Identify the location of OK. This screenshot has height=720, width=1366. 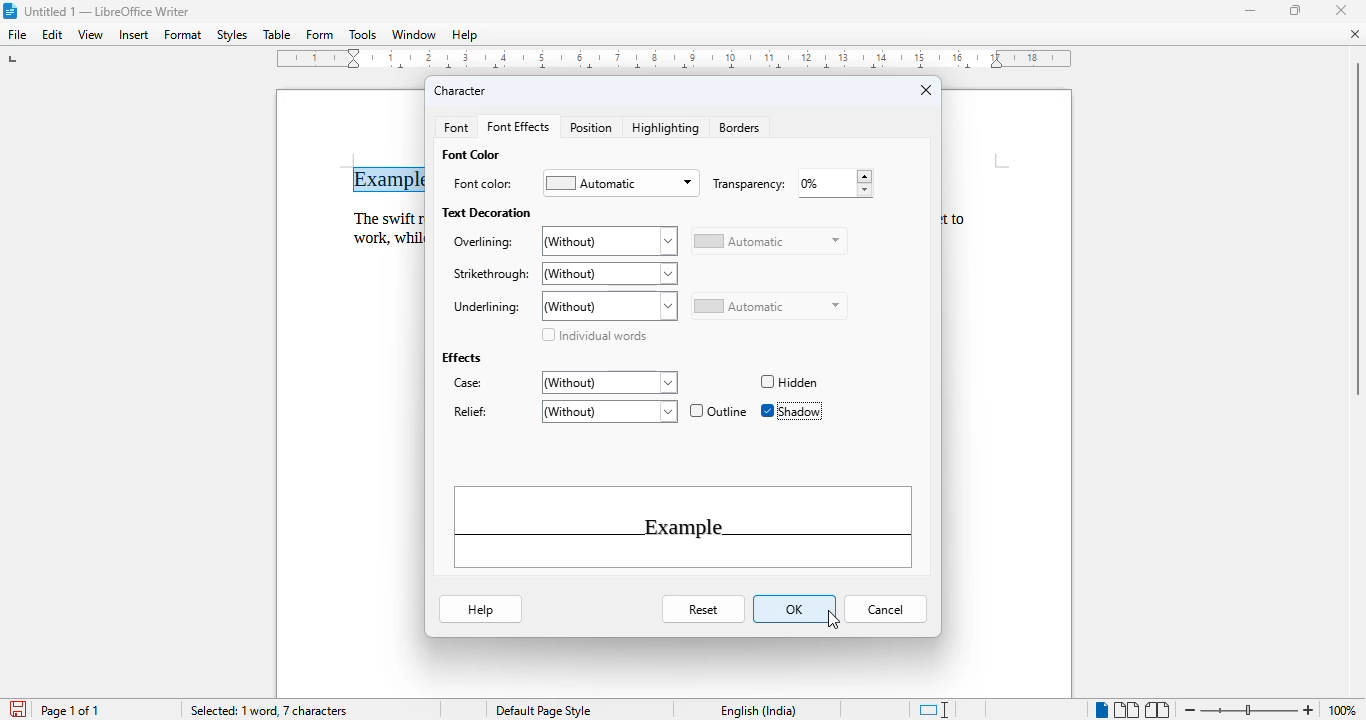
(796, 608).